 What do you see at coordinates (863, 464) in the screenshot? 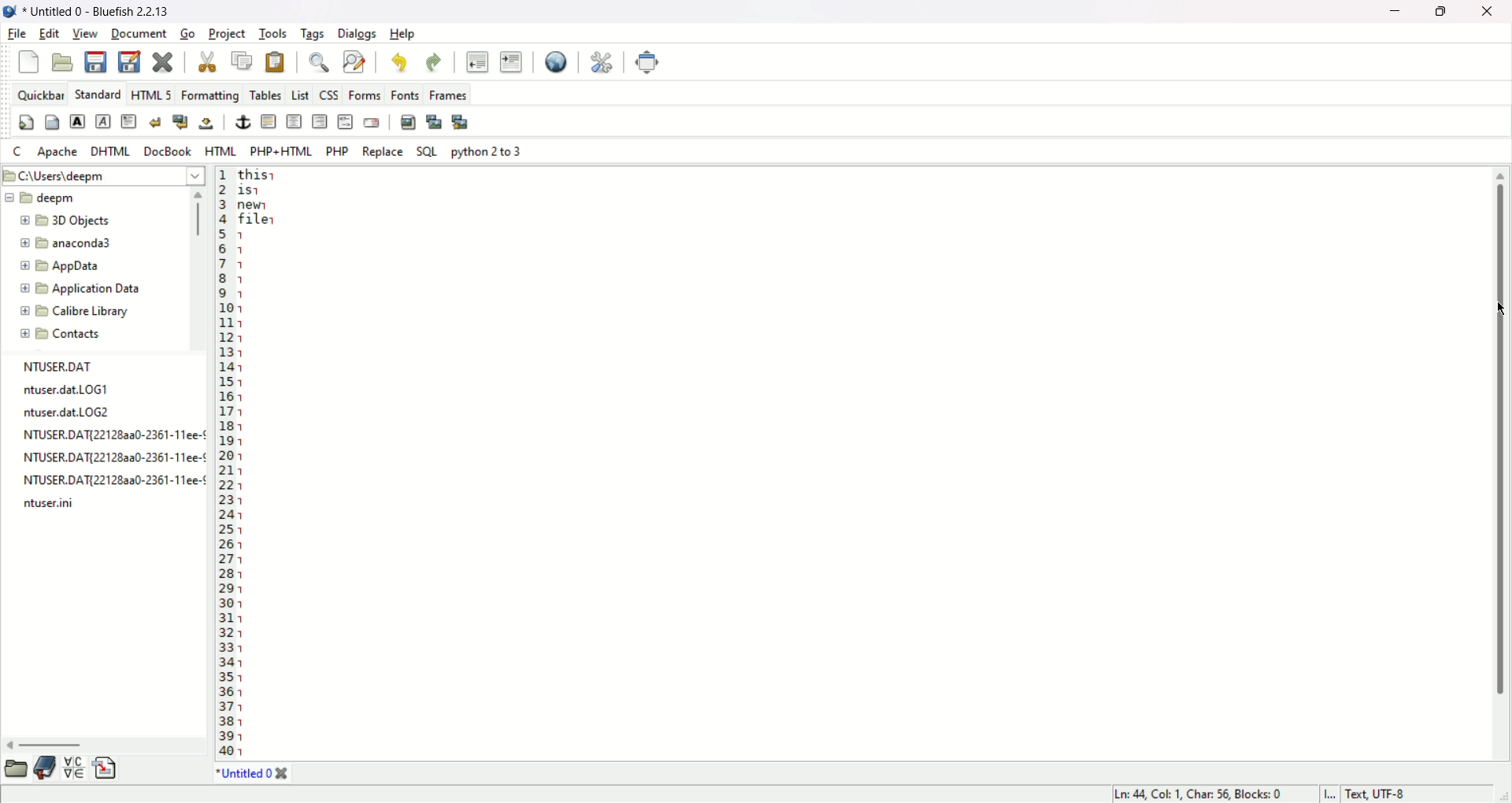
I see `editor` at bounding box center [863, 464].